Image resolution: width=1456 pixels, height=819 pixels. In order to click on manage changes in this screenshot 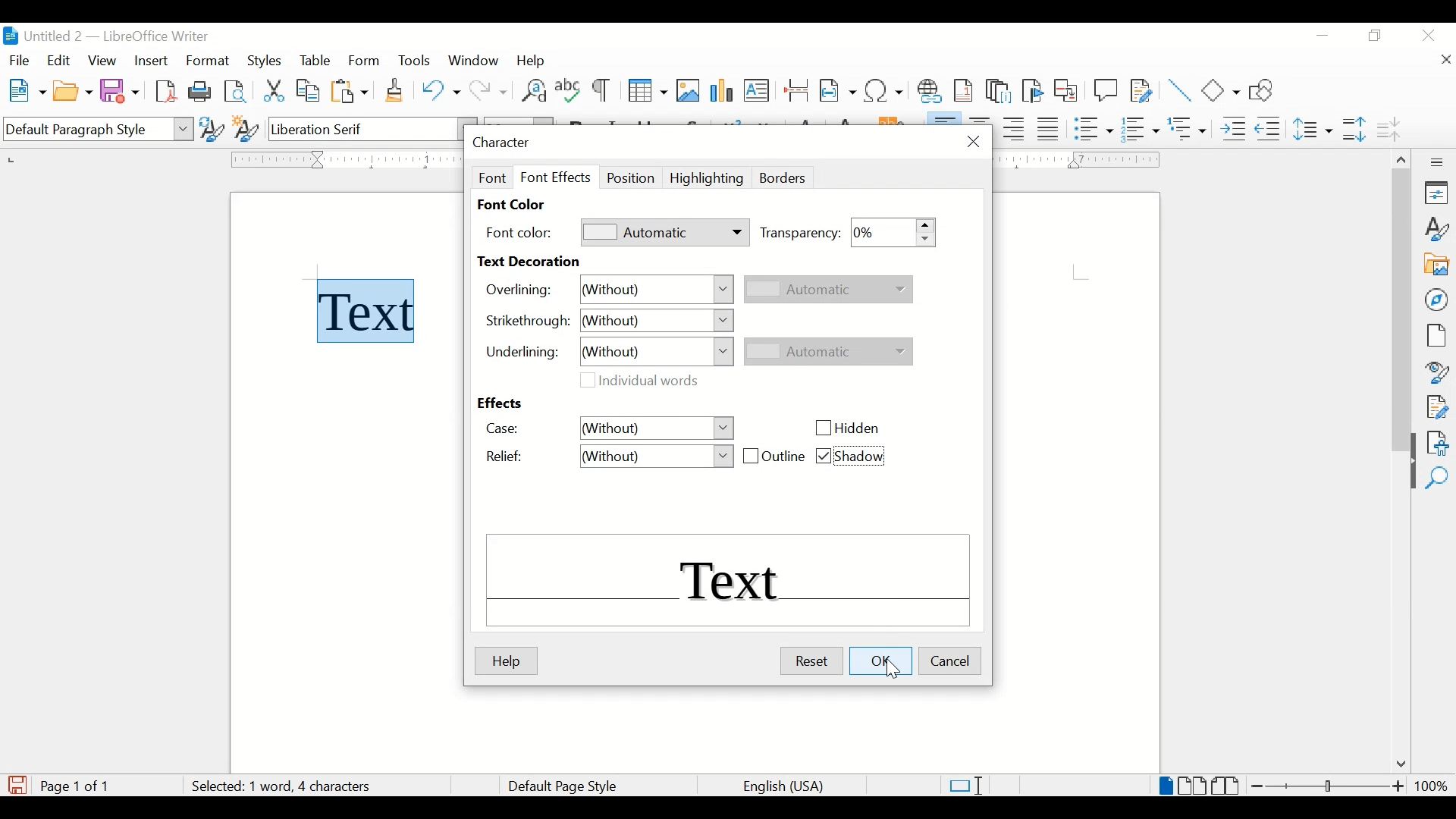, I will do `click(1437, 407)`.